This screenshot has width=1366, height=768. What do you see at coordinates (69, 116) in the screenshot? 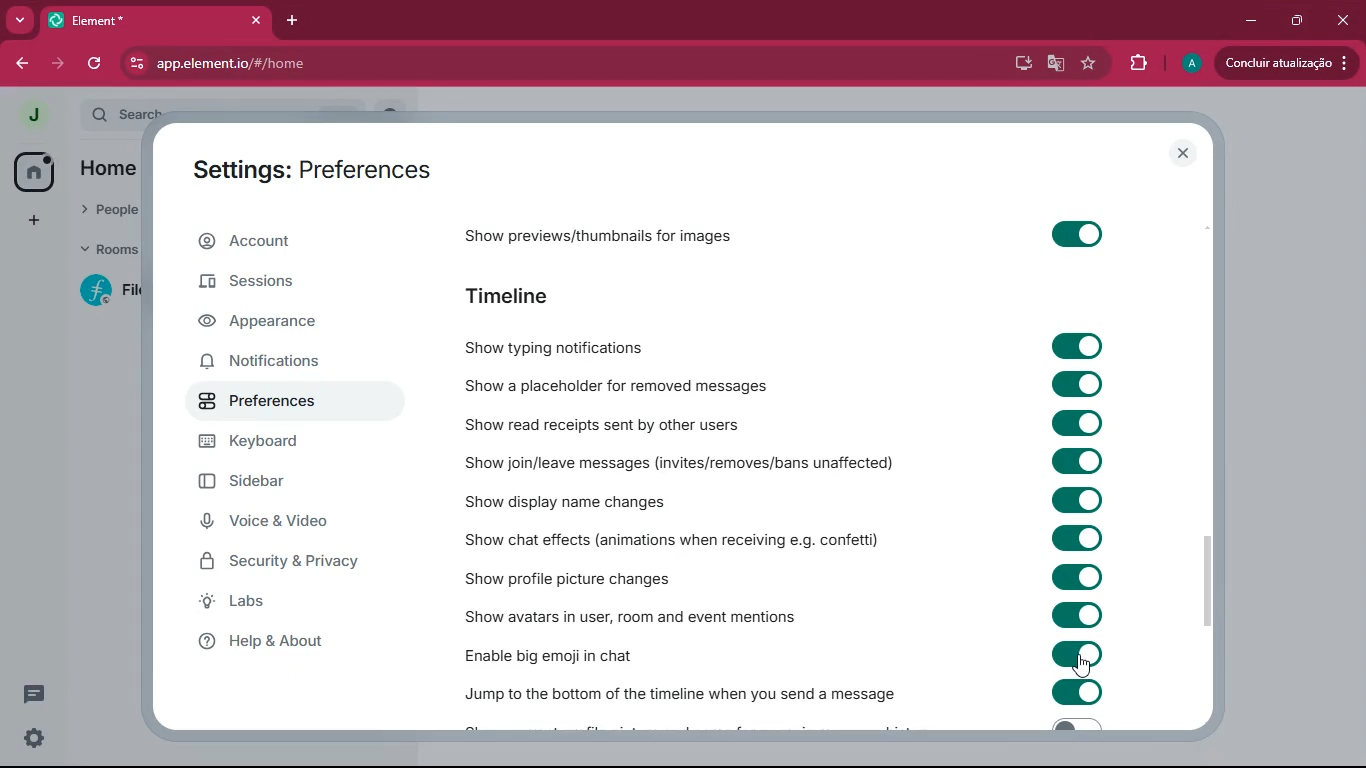
I see `expand` at bounding box center [69, 116].